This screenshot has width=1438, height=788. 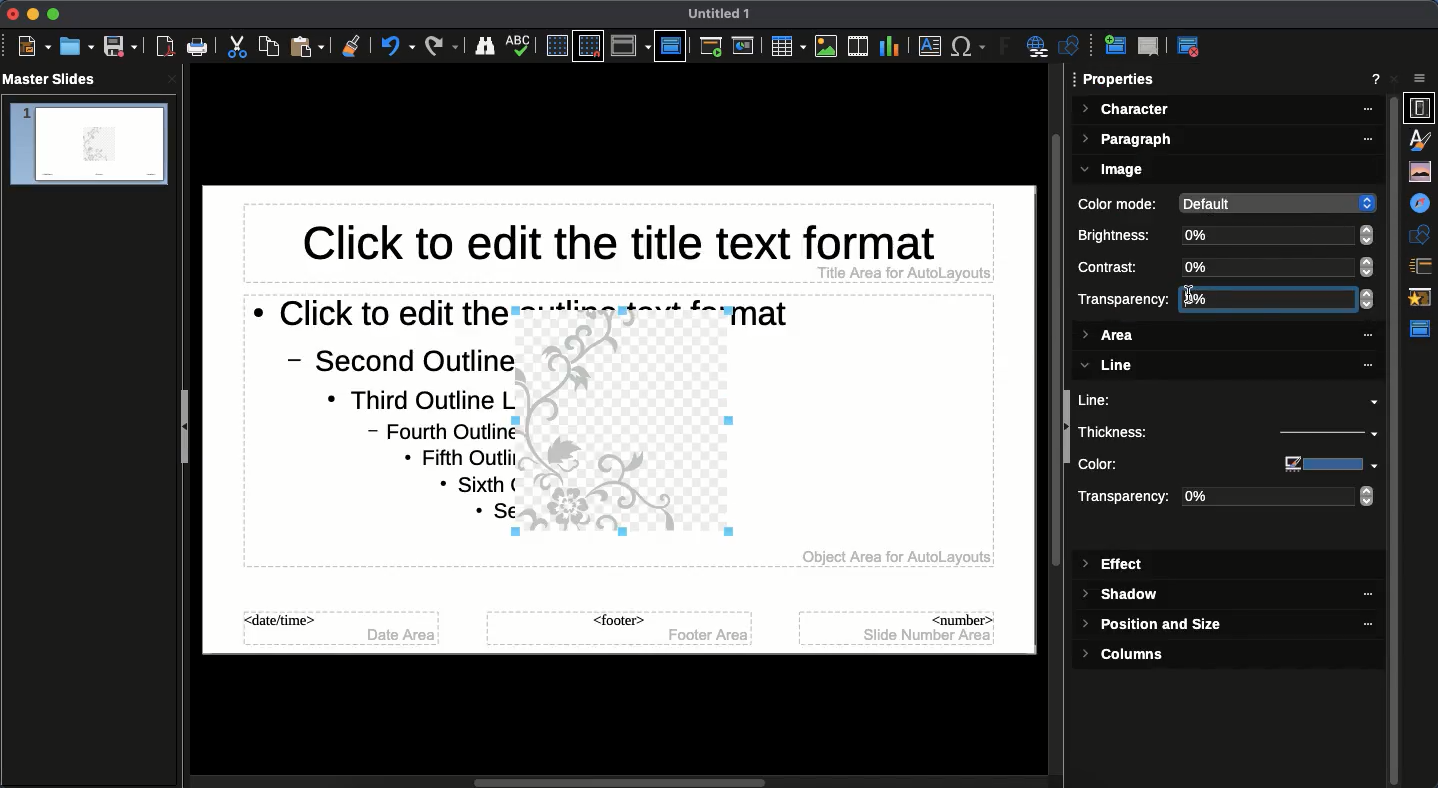 What do you see at coordinates (1116, 170) in the screenshot?
I see `Image` at bounding box center [1116, 170].